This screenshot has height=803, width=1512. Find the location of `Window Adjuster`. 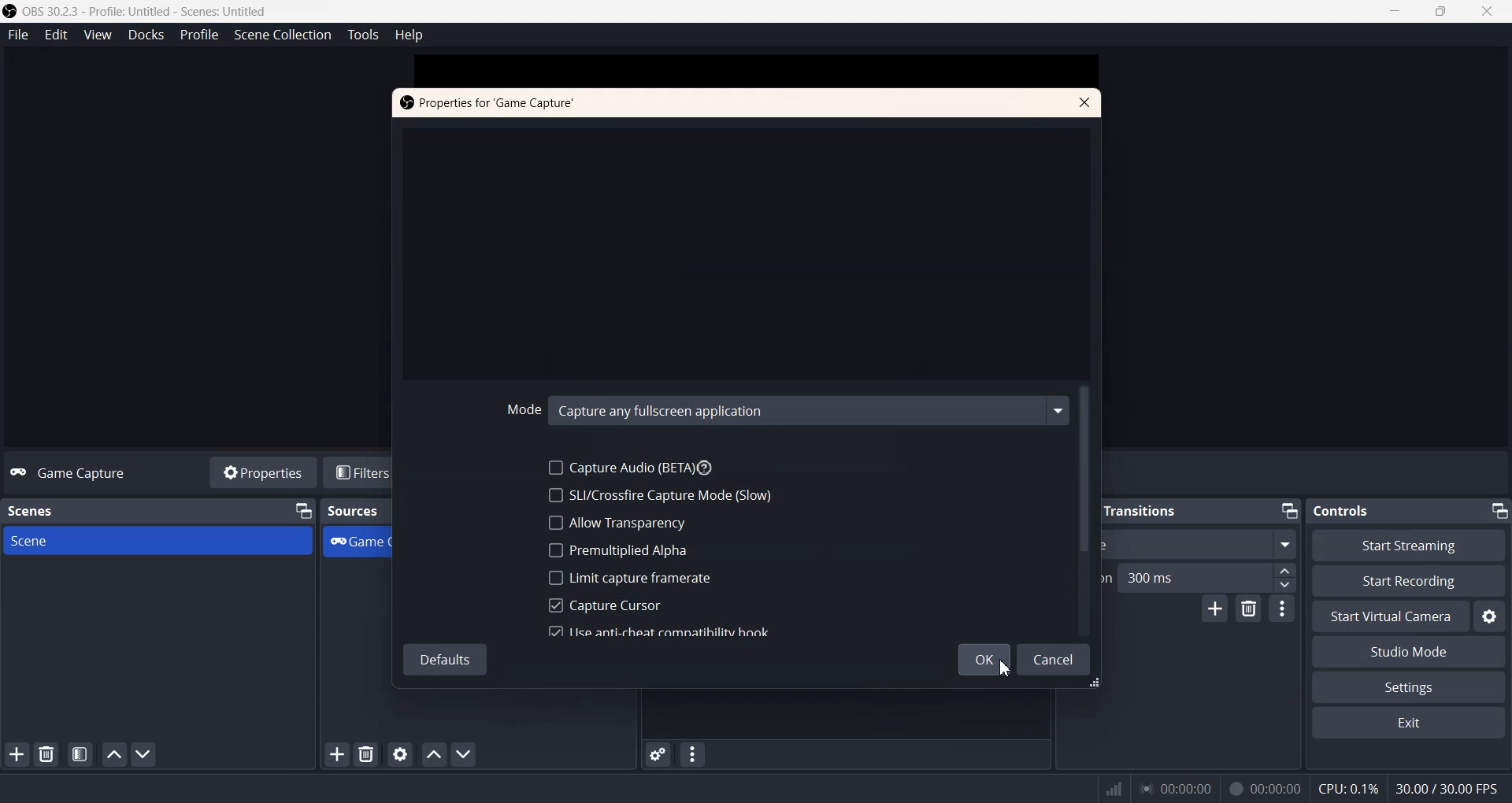

Window Adjuster is located at coordinates (1097, 683).